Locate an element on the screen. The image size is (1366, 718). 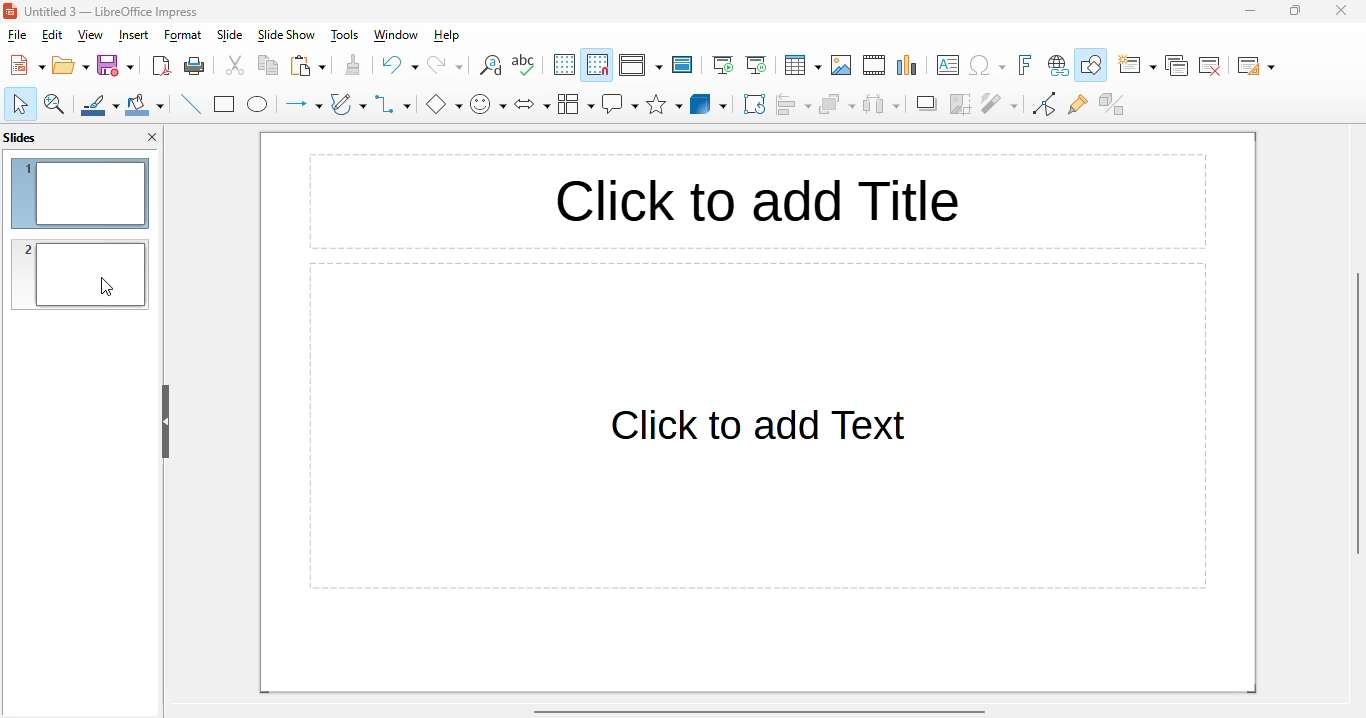
insert audio or video is located at coordinates (875, 65).